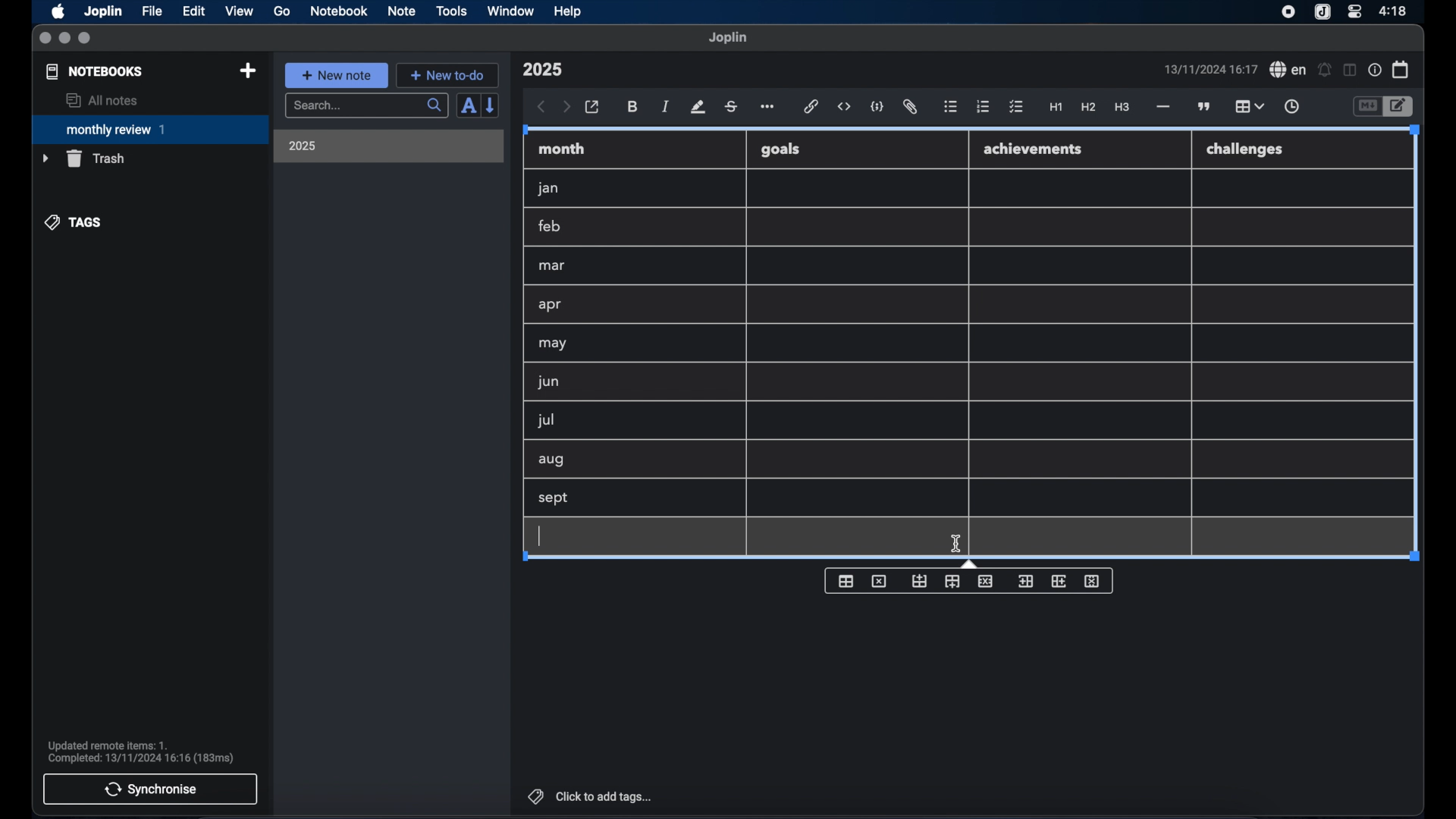  What do you see at coordinates (74, 222) in the screenshot?
I see `tags` at bounding box center [74, 222].